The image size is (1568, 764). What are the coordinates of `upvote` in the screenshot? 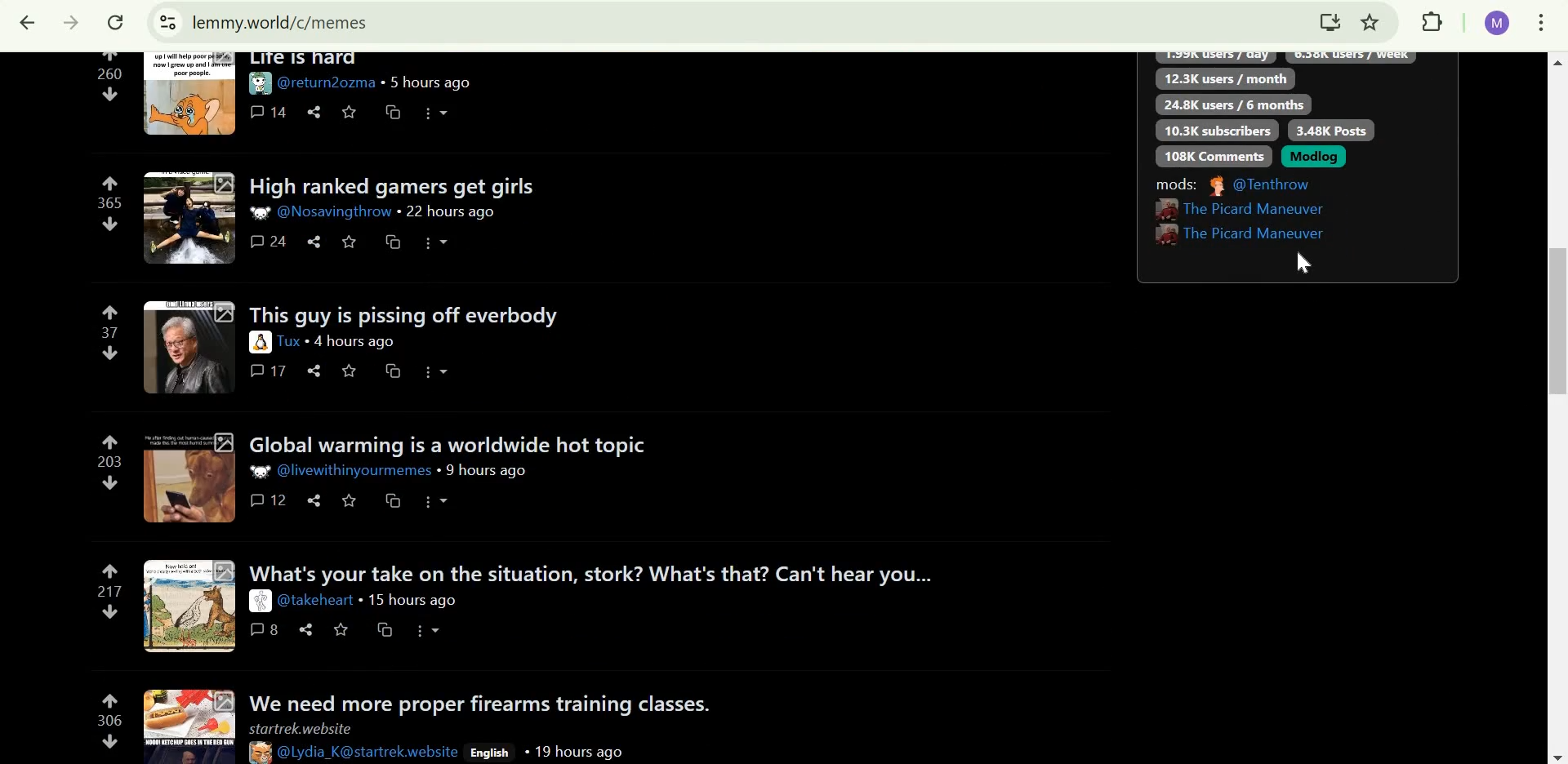 It's located at (111, 697).